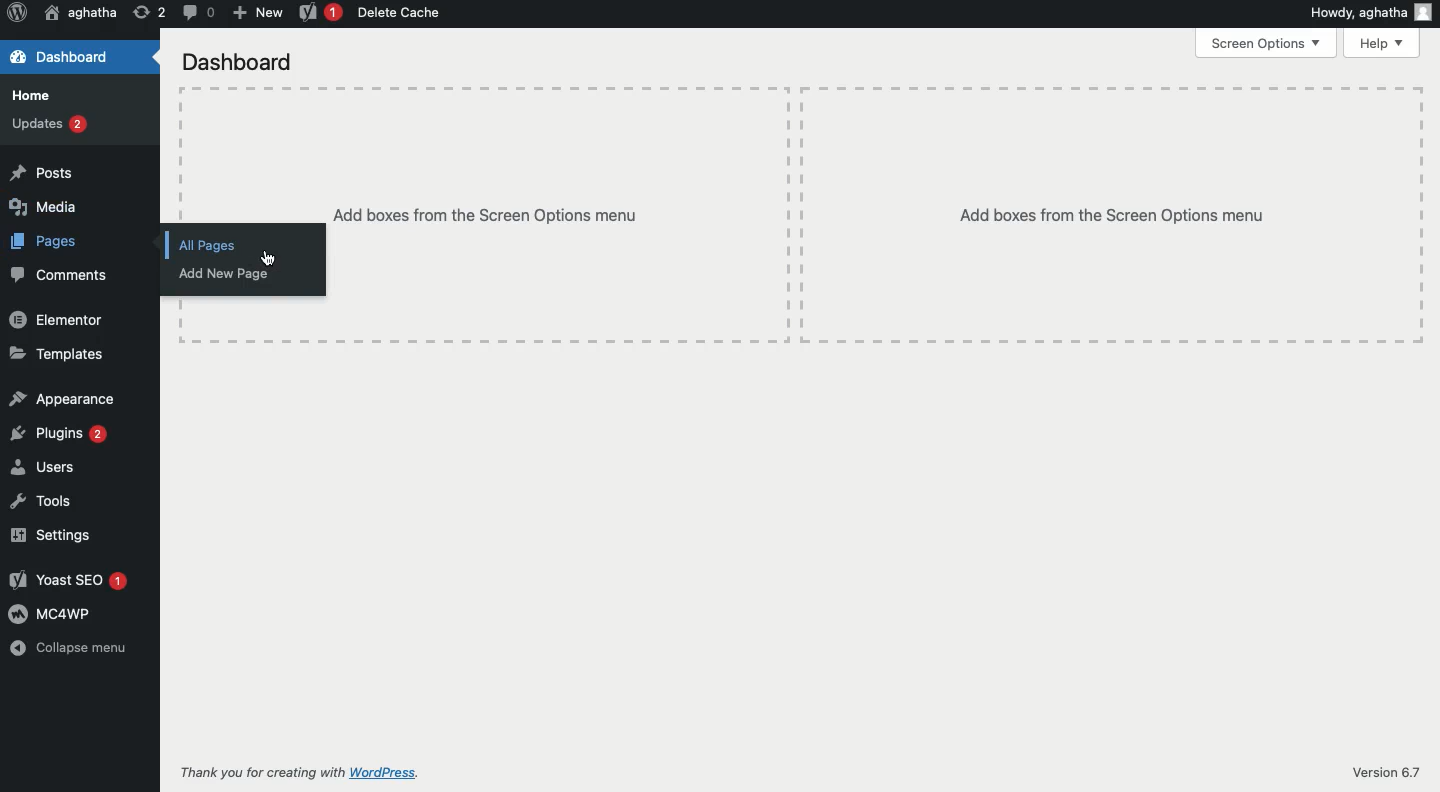  I want to click on Help, so click(1382, 43).